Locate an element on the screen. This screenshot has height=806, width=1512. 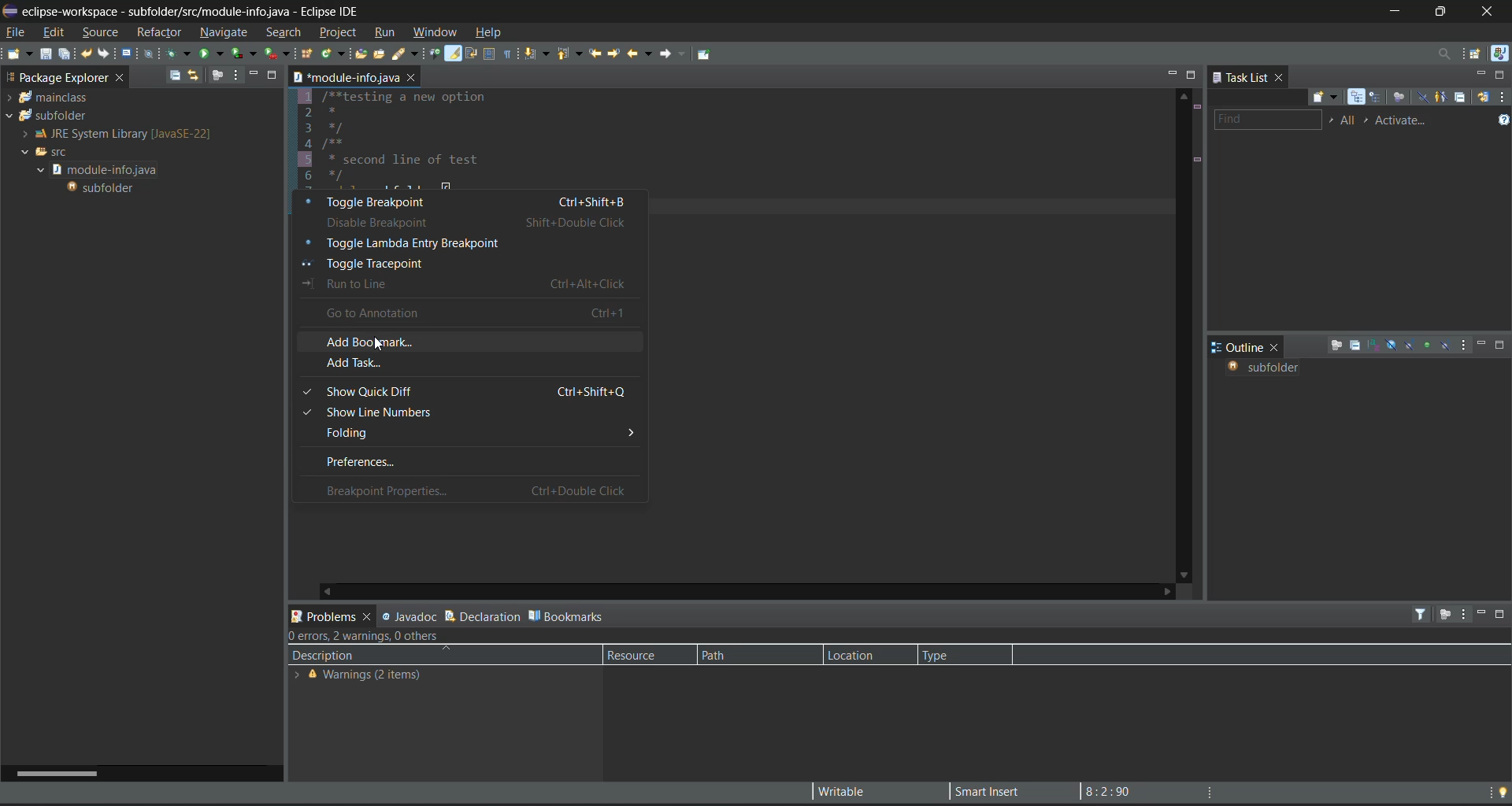
open type is located at coordinates (364, 54).